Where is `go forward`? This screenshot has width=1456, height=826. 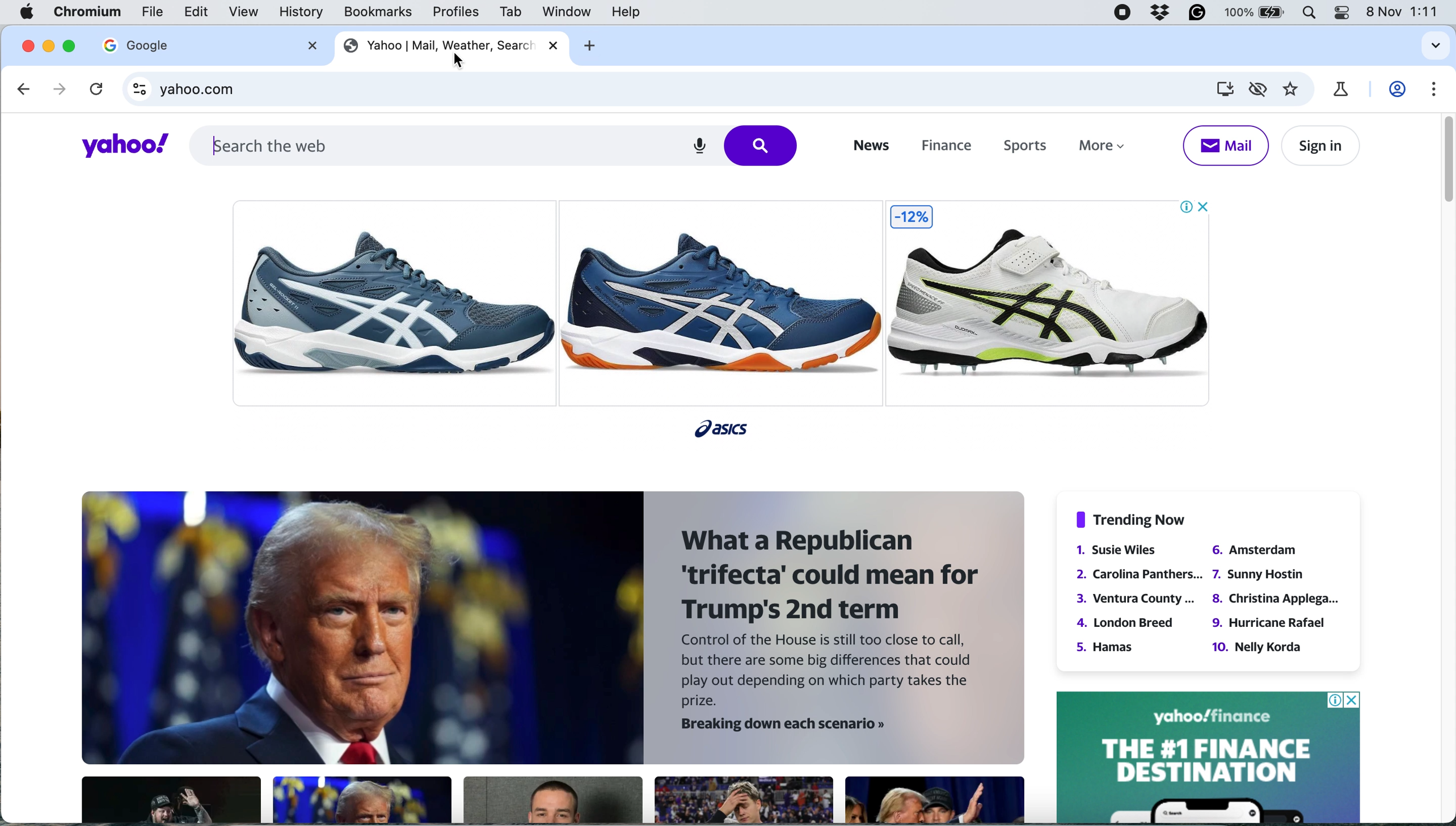 go forward is located at coordinates (55, 88).